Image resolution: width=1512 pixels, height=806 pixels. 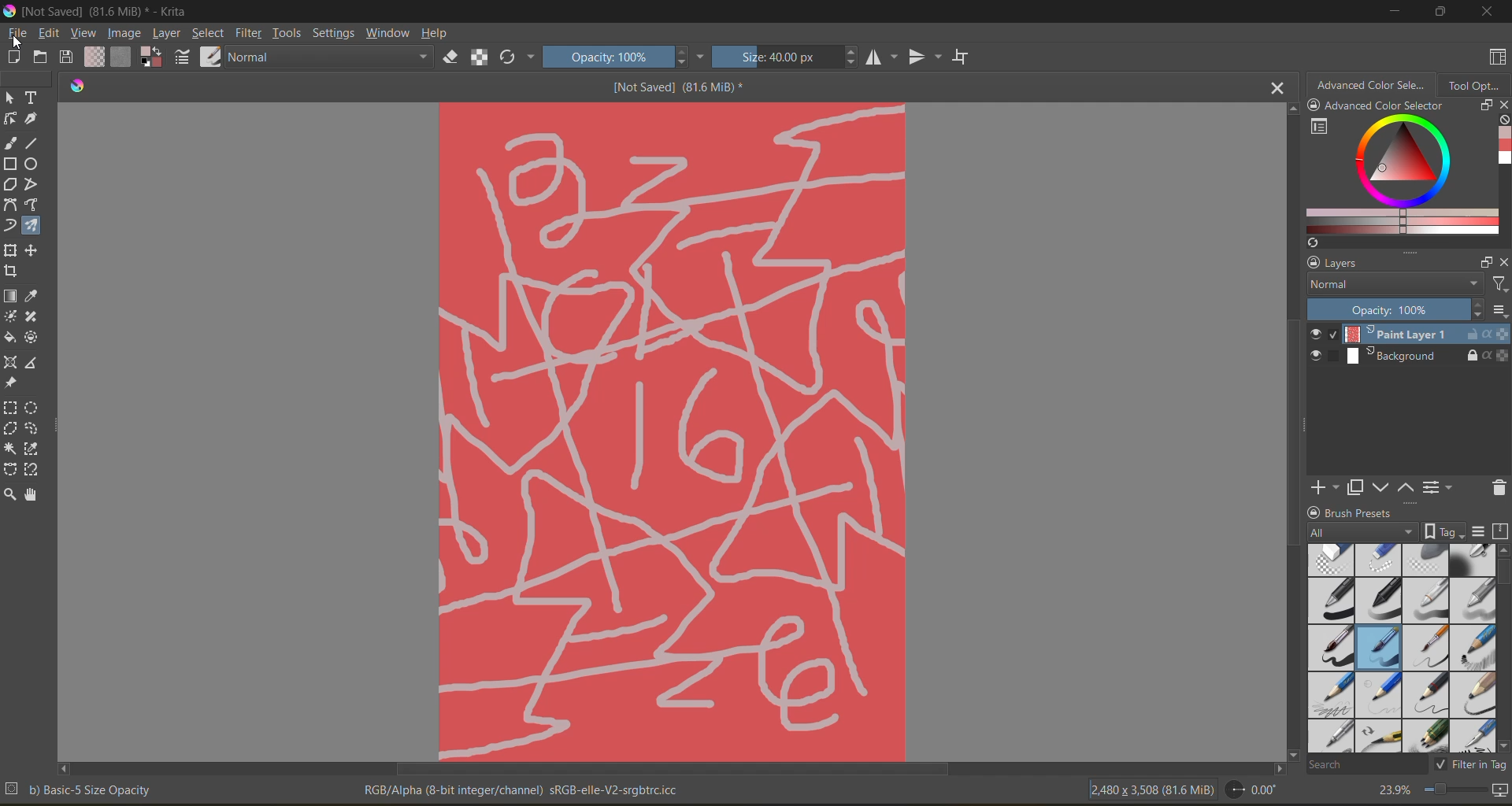 I want to click on help, so click(x=435, y=35).